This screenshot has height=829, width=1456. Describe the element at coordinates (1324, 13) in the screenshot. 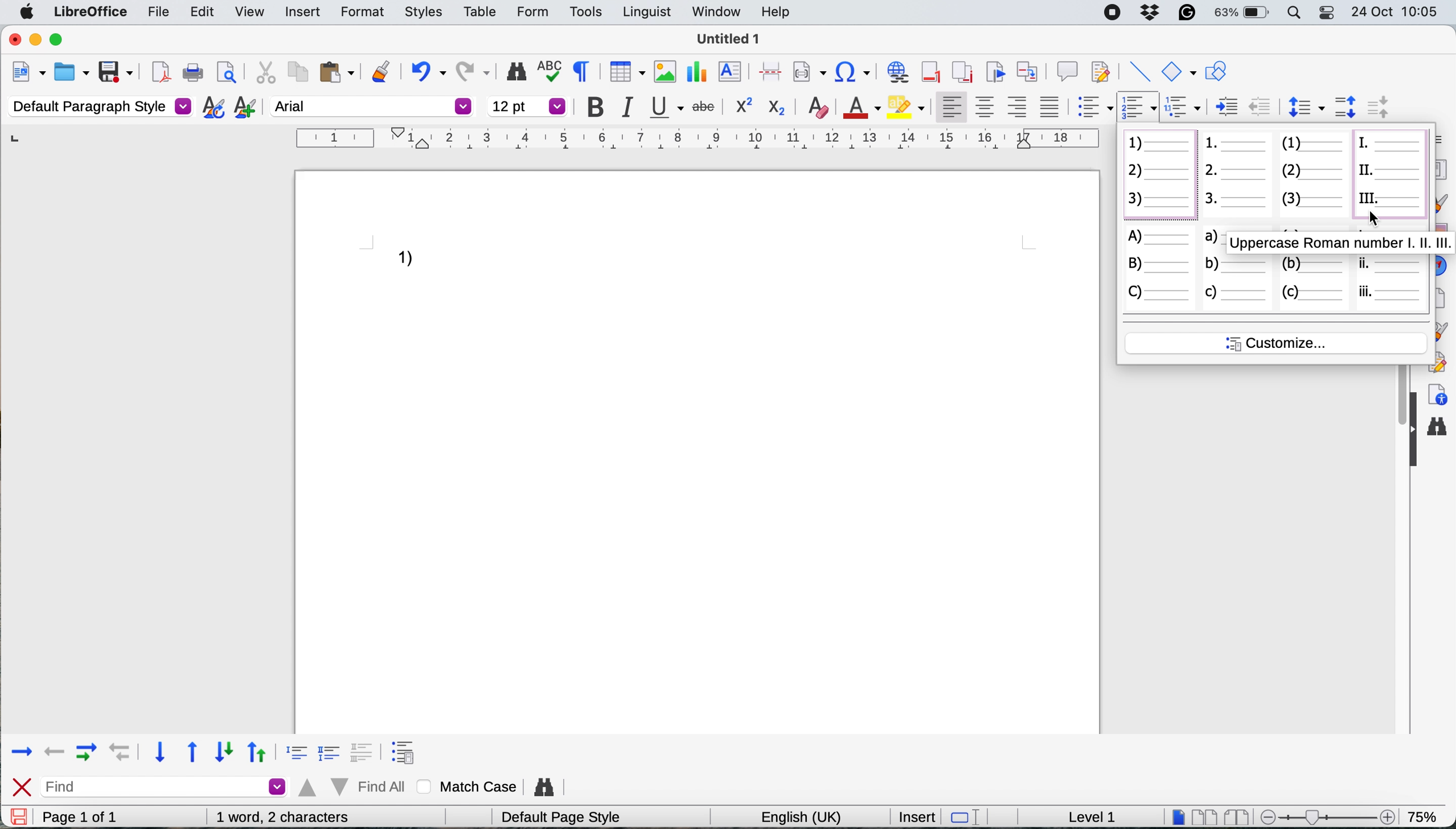

I see `control center` at that location.